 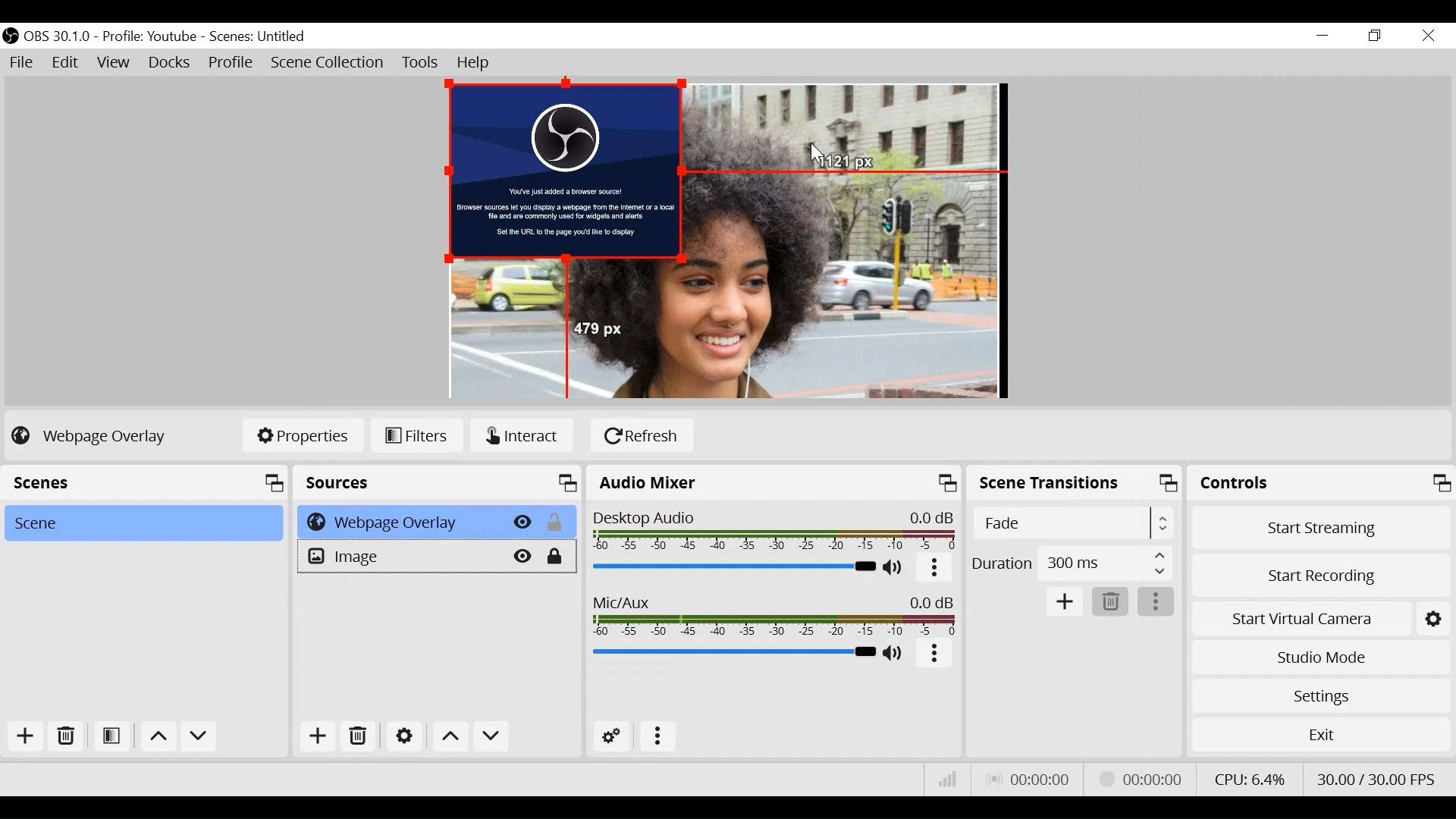 What do you see at coordinates (1075, 482) in the screenshot?
I see `Scene Transition` at bounding box center [1075, 482].